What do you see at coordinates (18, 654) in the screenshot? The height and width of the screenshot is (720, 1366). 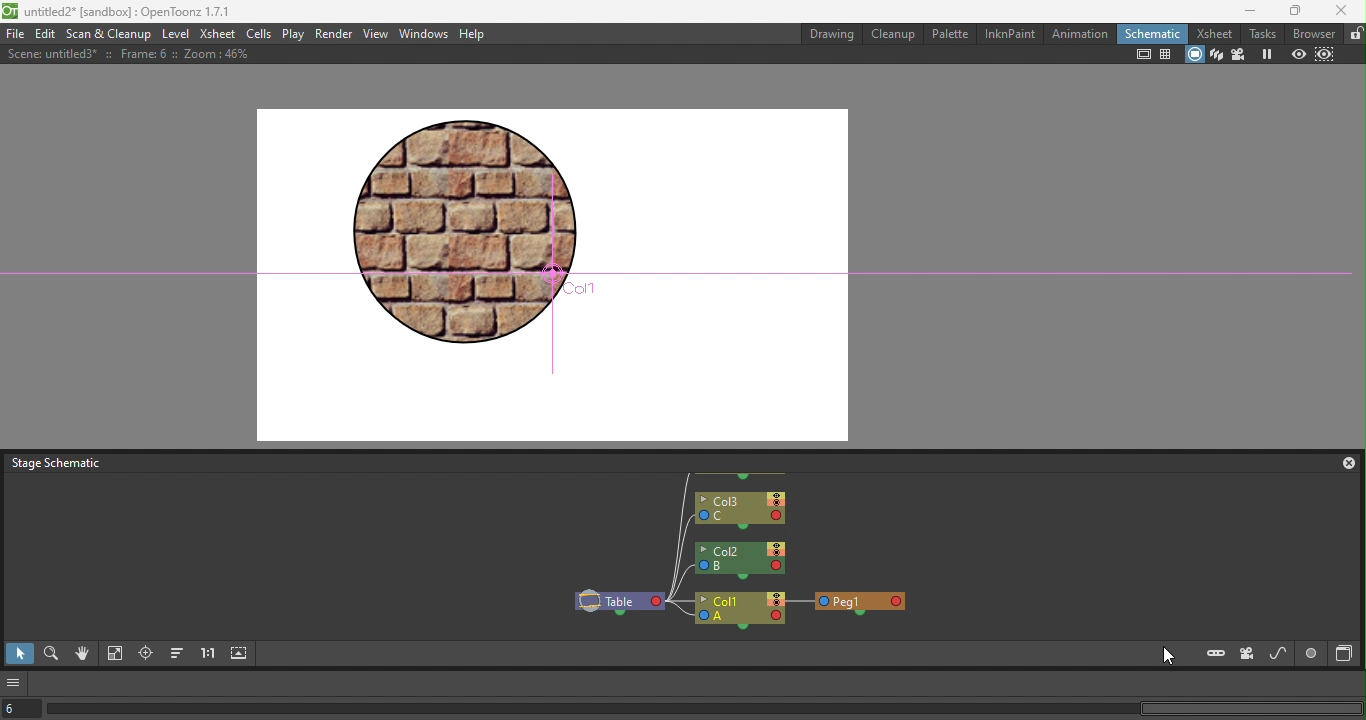 I see `Selection mode` at bounding box center [18, 654].